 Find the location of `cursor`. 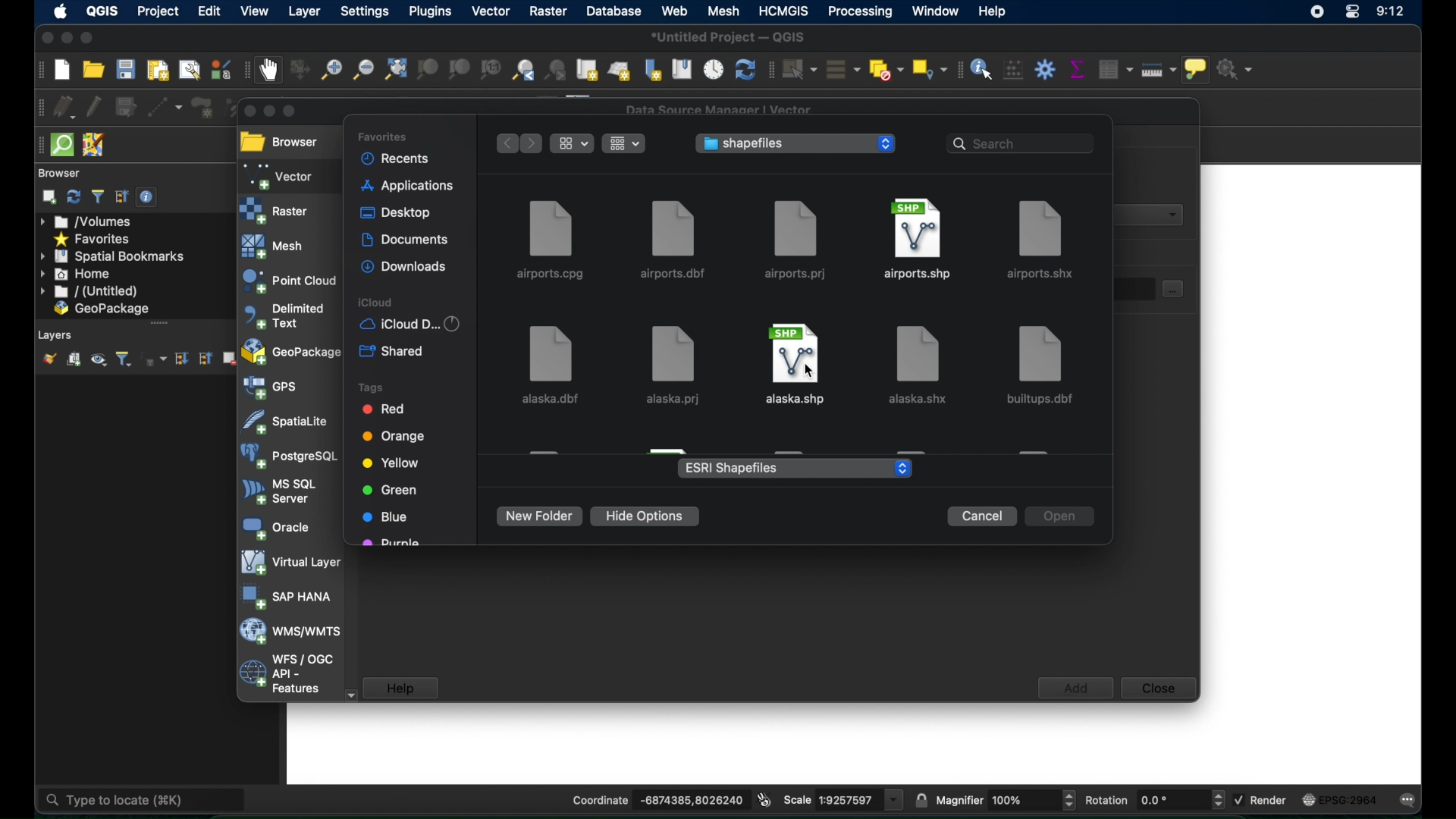

cursor is located at coordinates (812, 373).